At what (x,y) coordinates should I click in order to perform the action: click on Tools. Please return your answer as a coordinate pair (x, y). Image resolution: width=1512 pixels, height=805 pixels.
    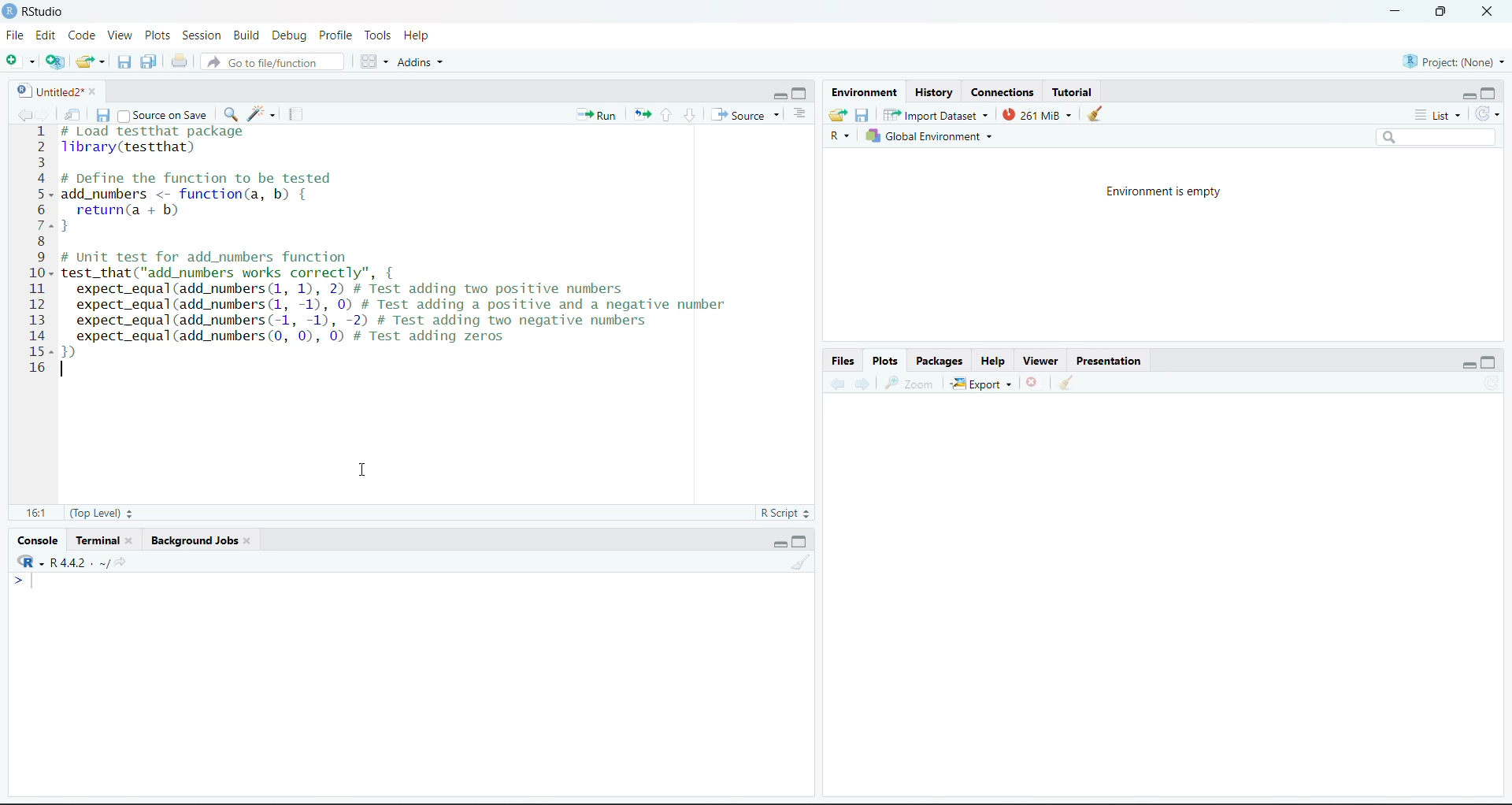
    Looking at the image, I should click on (376, 35).